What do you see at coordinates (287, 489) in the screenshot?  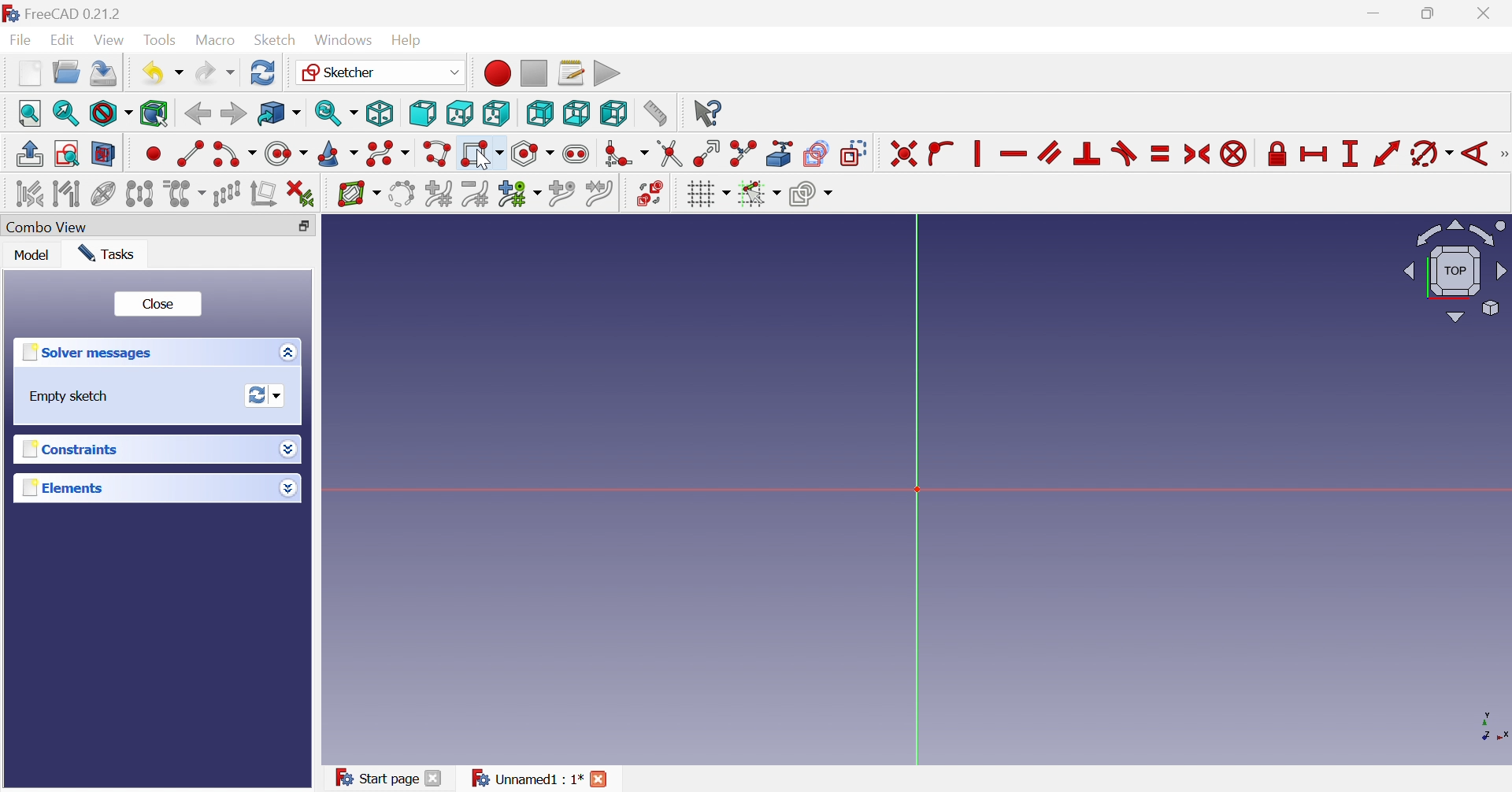 I see `Drop down` at bounding box center [287, 489].